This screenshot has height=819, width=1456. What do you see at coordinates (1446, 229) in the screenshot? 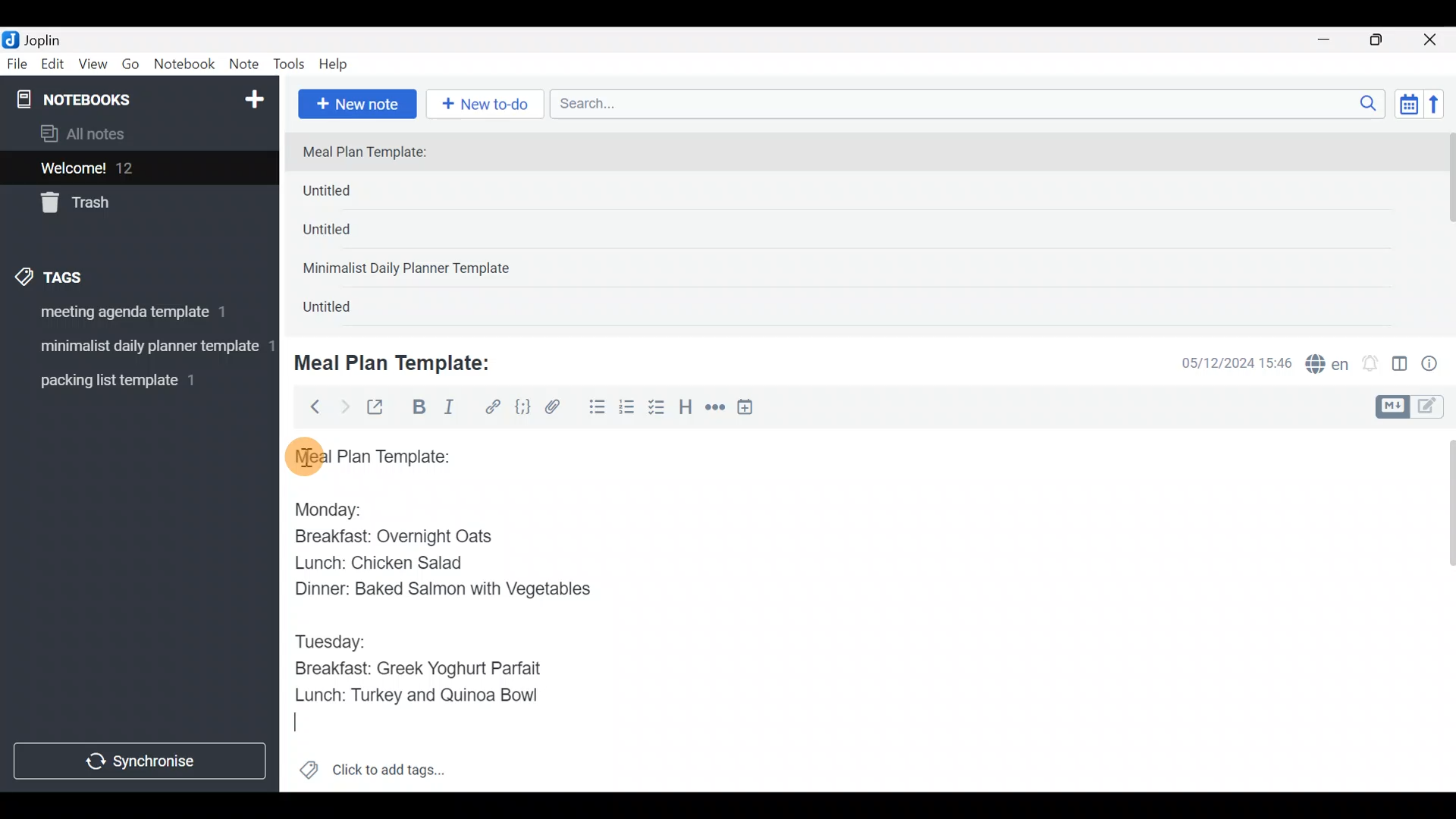
I see `scroll bar` at bounding box center [1446, 229].